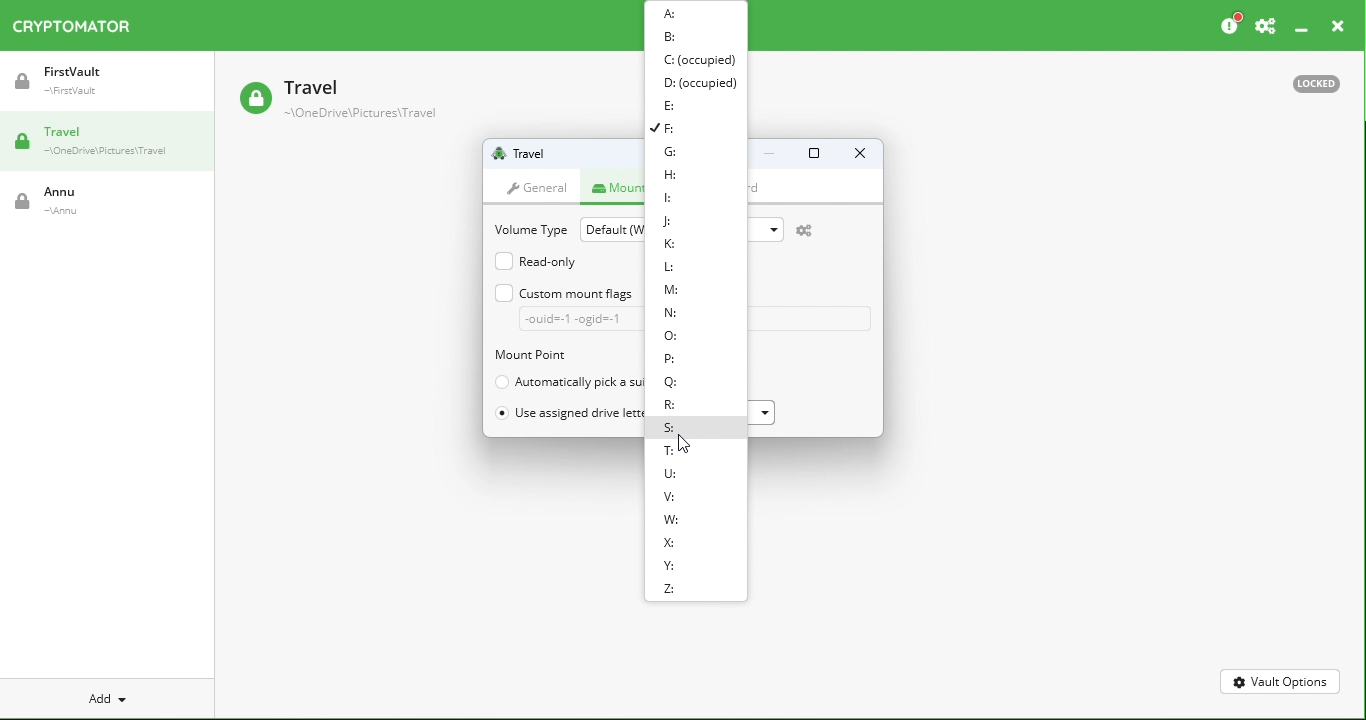  I want to click on General, so click(541, 185).